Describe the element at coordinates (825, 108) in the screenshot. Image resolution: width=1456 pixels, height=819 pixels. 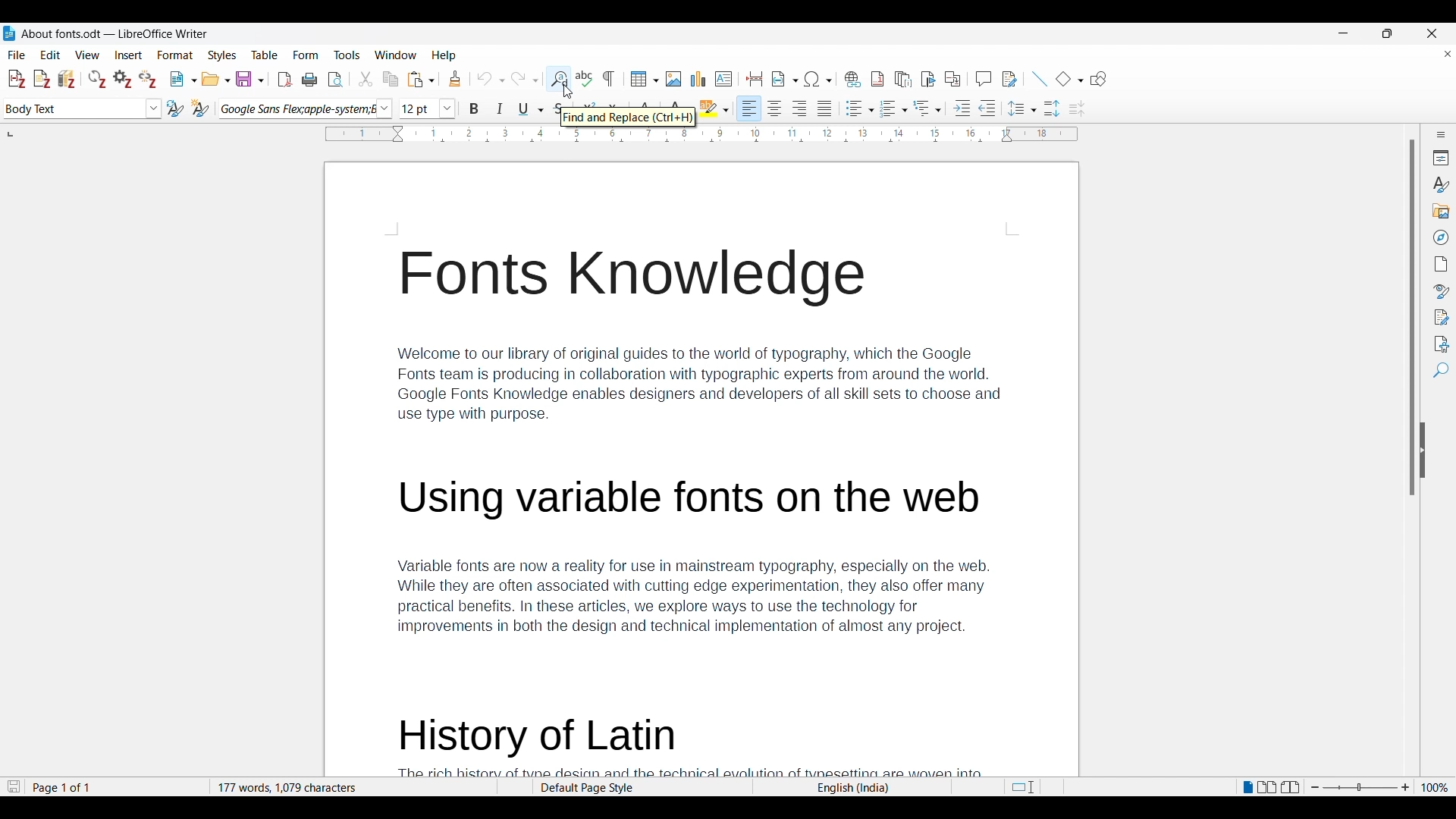
I see `Align justified` at that location.